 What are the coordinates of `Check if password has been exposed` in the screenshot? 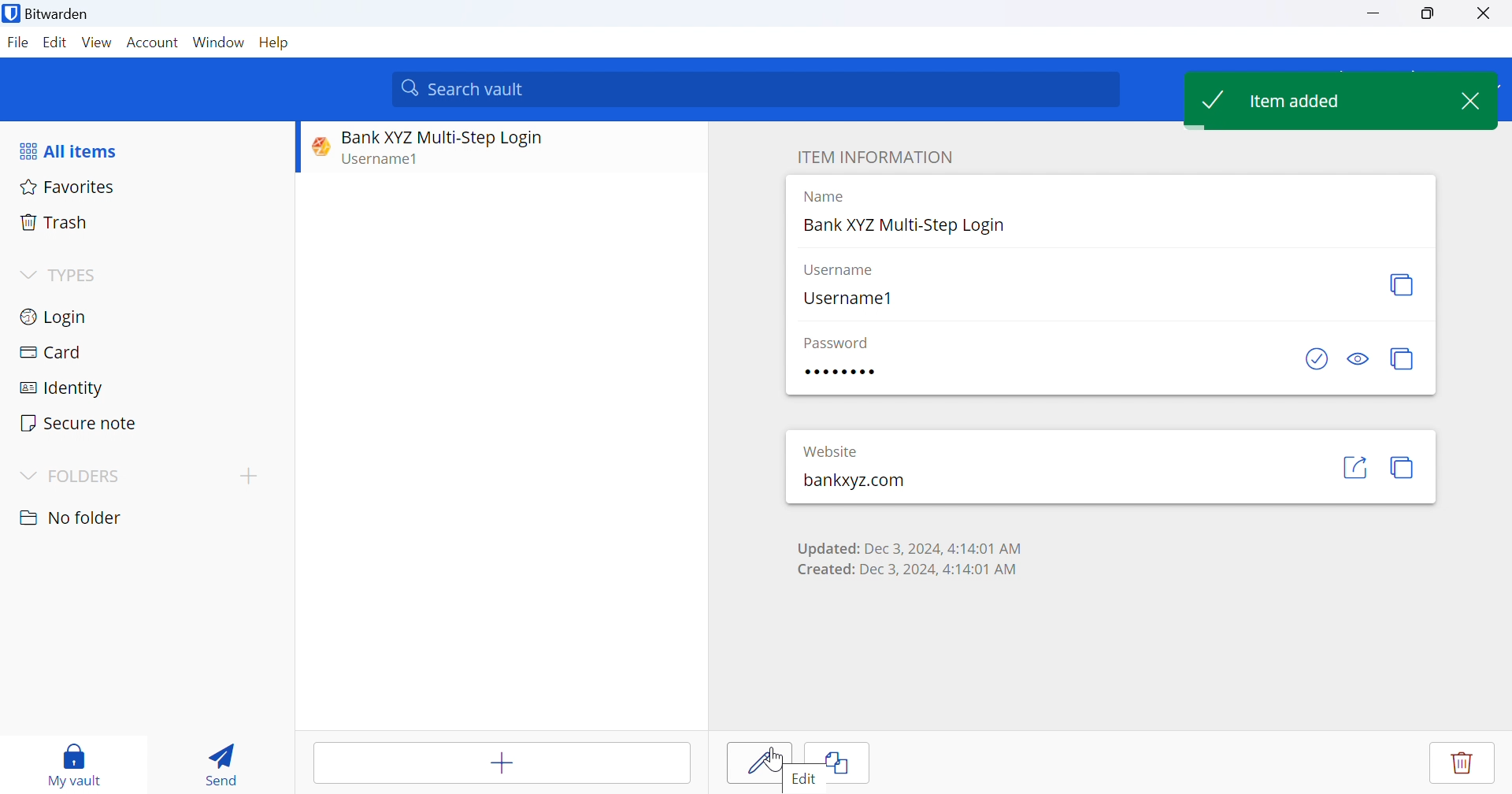 It's located at (1315, 359).